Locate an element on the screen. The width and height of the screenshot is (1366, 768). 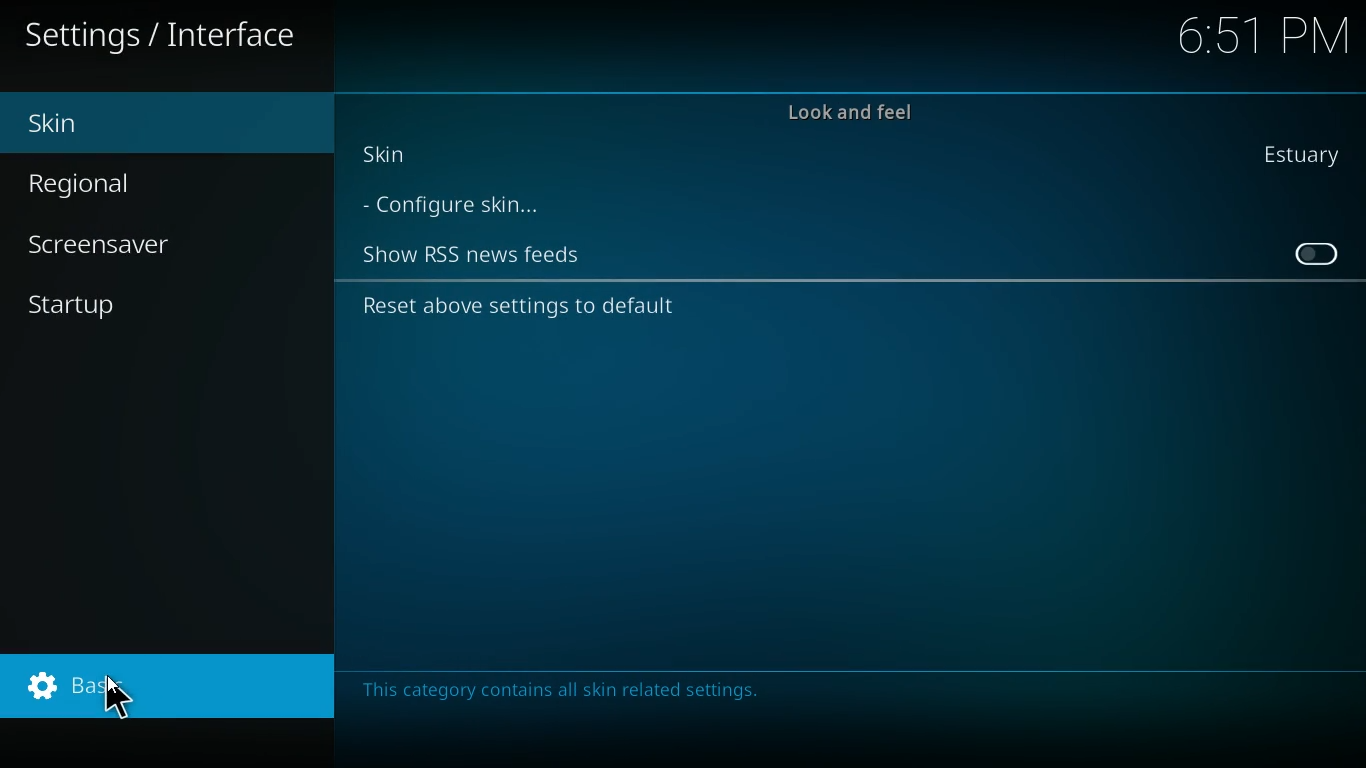
estuary is located at coordinates (1304, 154).